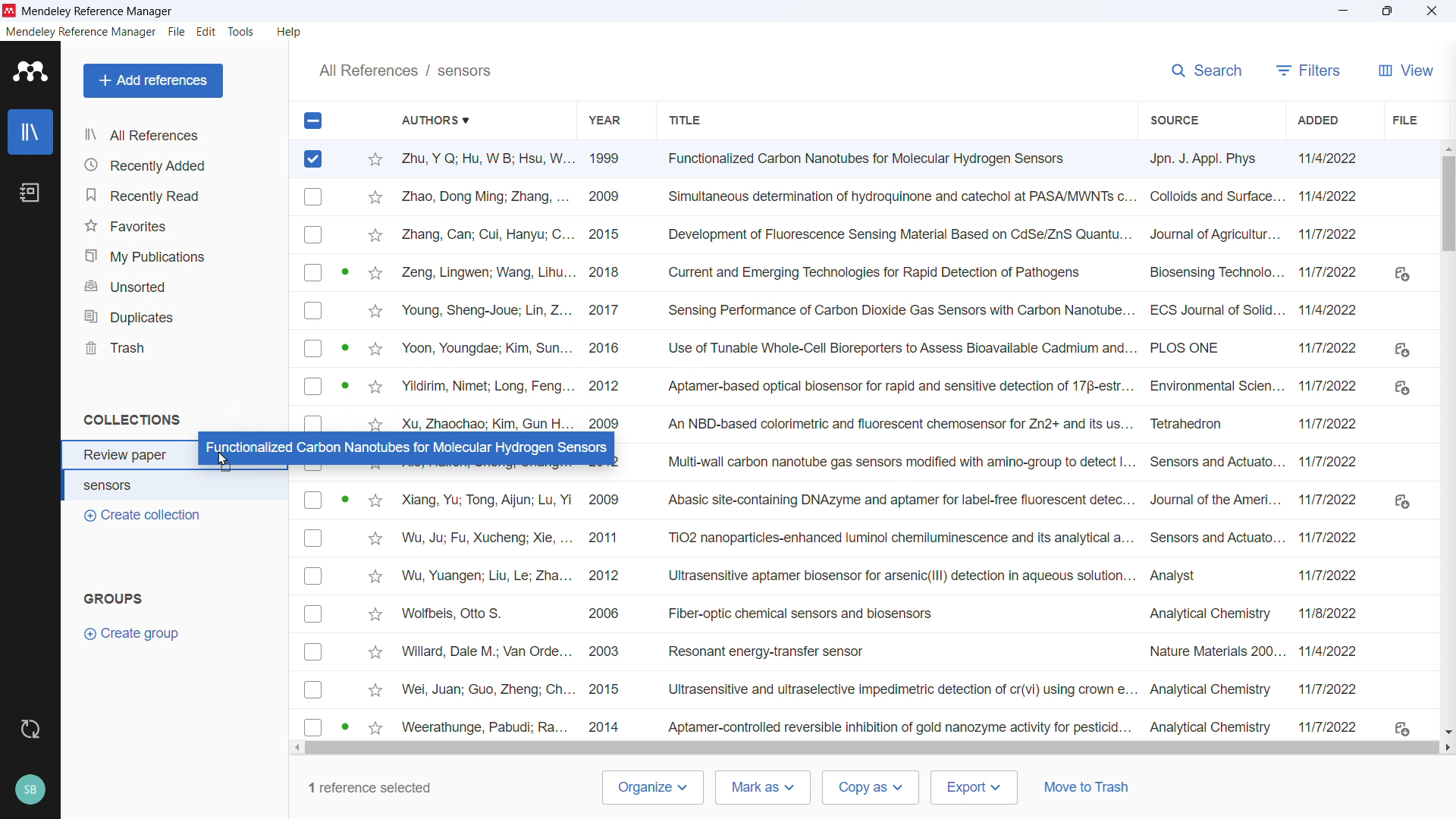 The height and width of the screenshot is (819, 1456). What do you see at coordinates (1340, 11) in the screenshot?
I see `minimise ` at bounding box center [1340, 11].